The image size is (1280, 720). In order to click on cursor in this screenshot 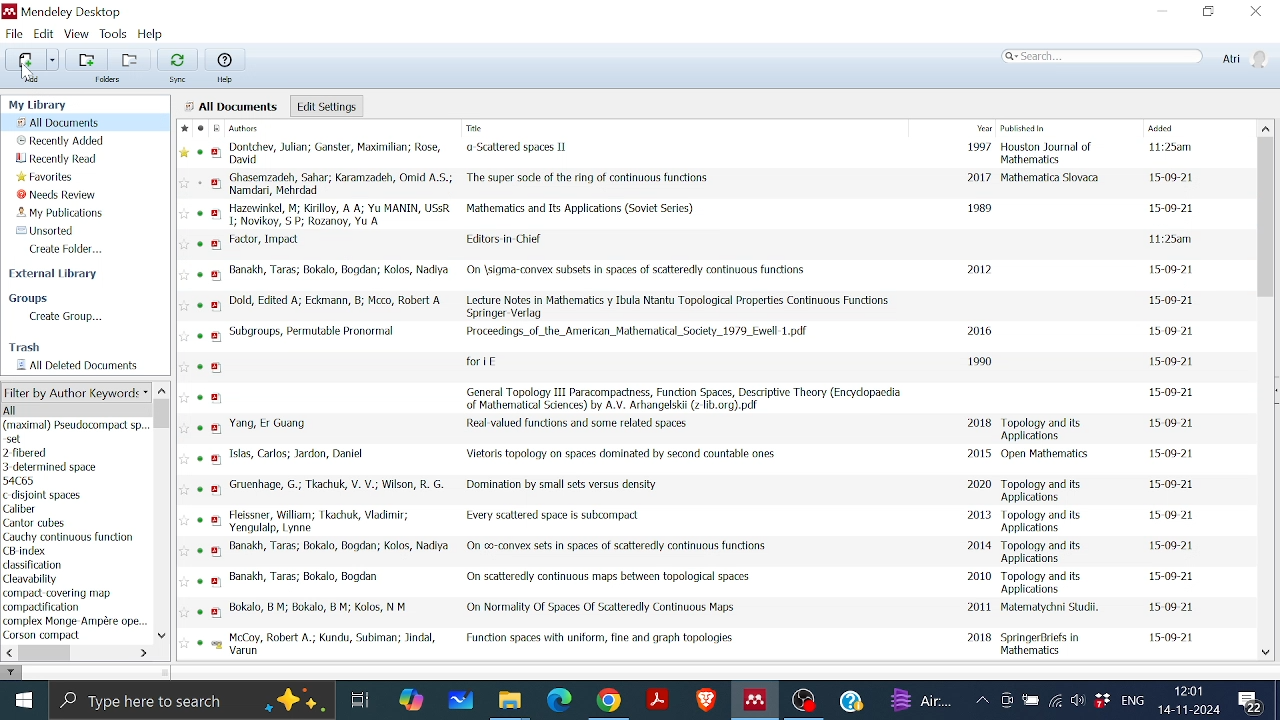, I will do `click(26, 70)`.